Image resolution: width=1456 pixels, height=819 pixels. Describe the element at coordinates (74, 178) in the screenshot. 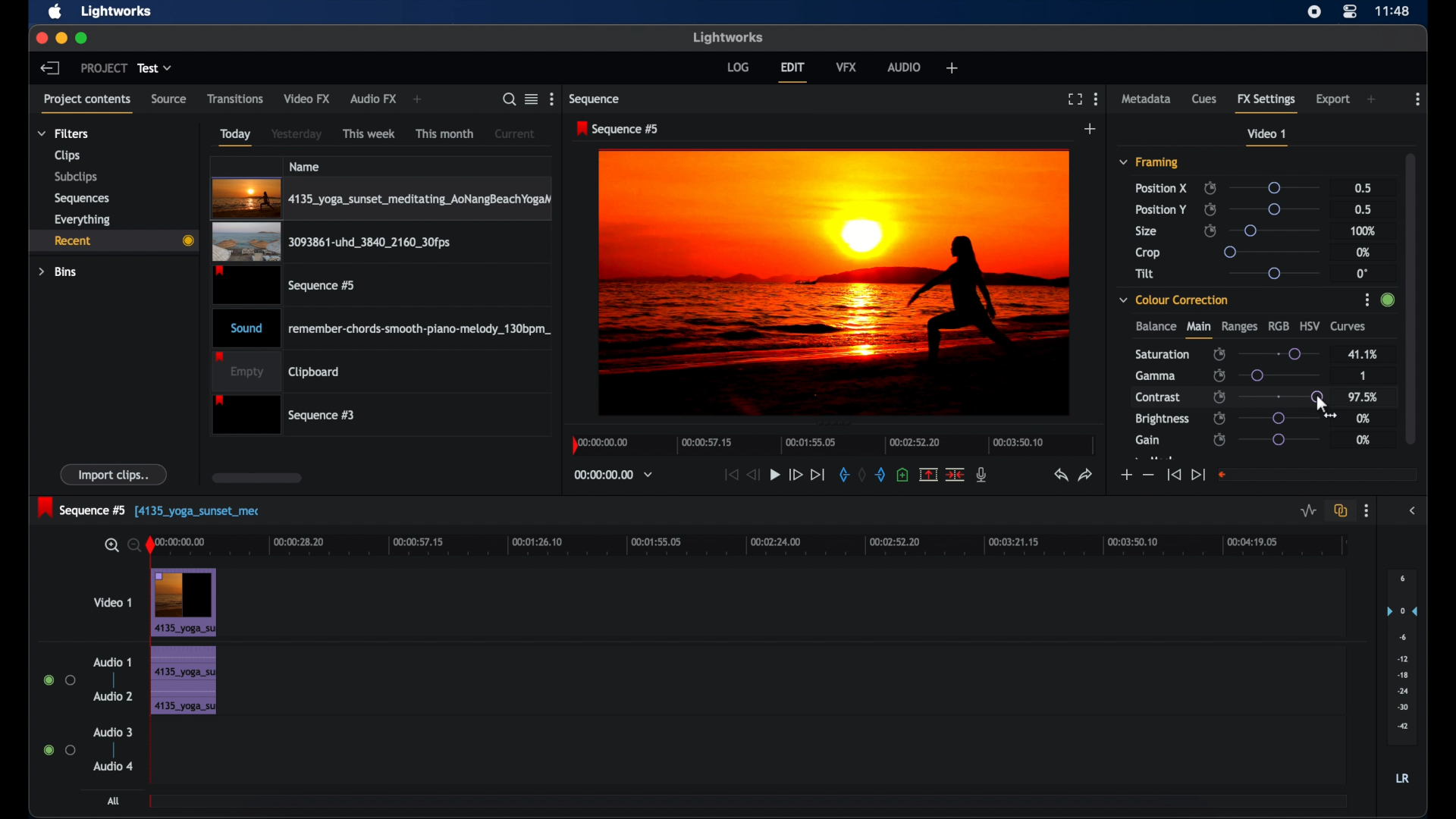

I see `subclips` at that location.